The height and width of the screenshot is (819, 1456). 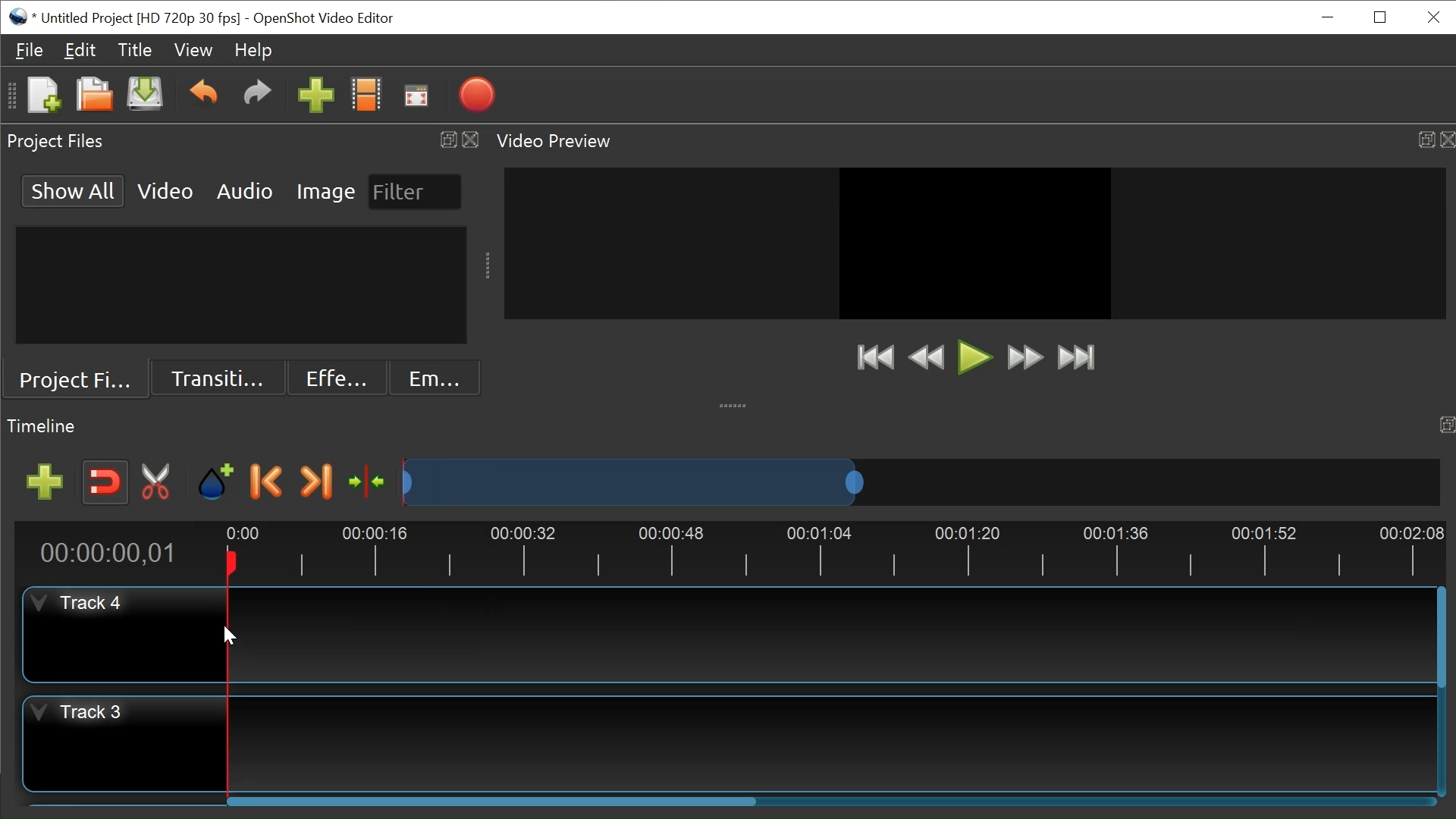 I want to click on Open File, so click(x=92, y=96).